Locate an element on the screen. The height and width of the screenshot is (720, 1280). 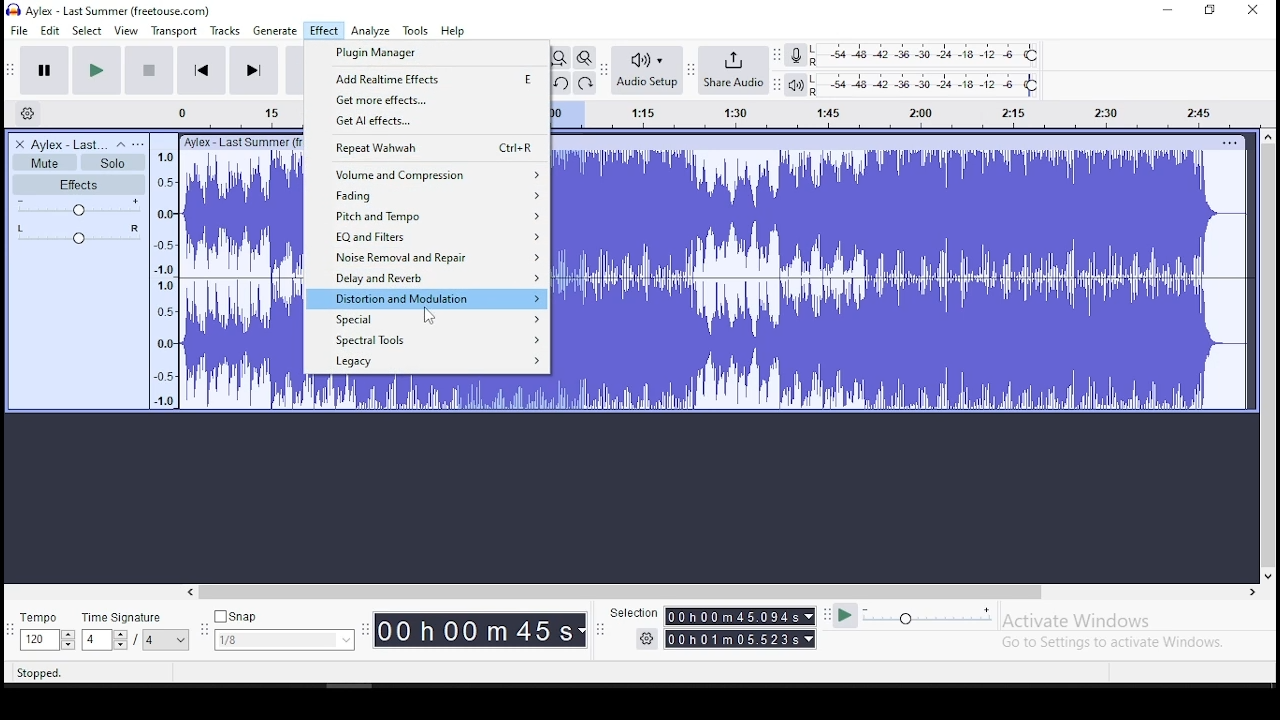
playback level is located at coordinates (934, 83).